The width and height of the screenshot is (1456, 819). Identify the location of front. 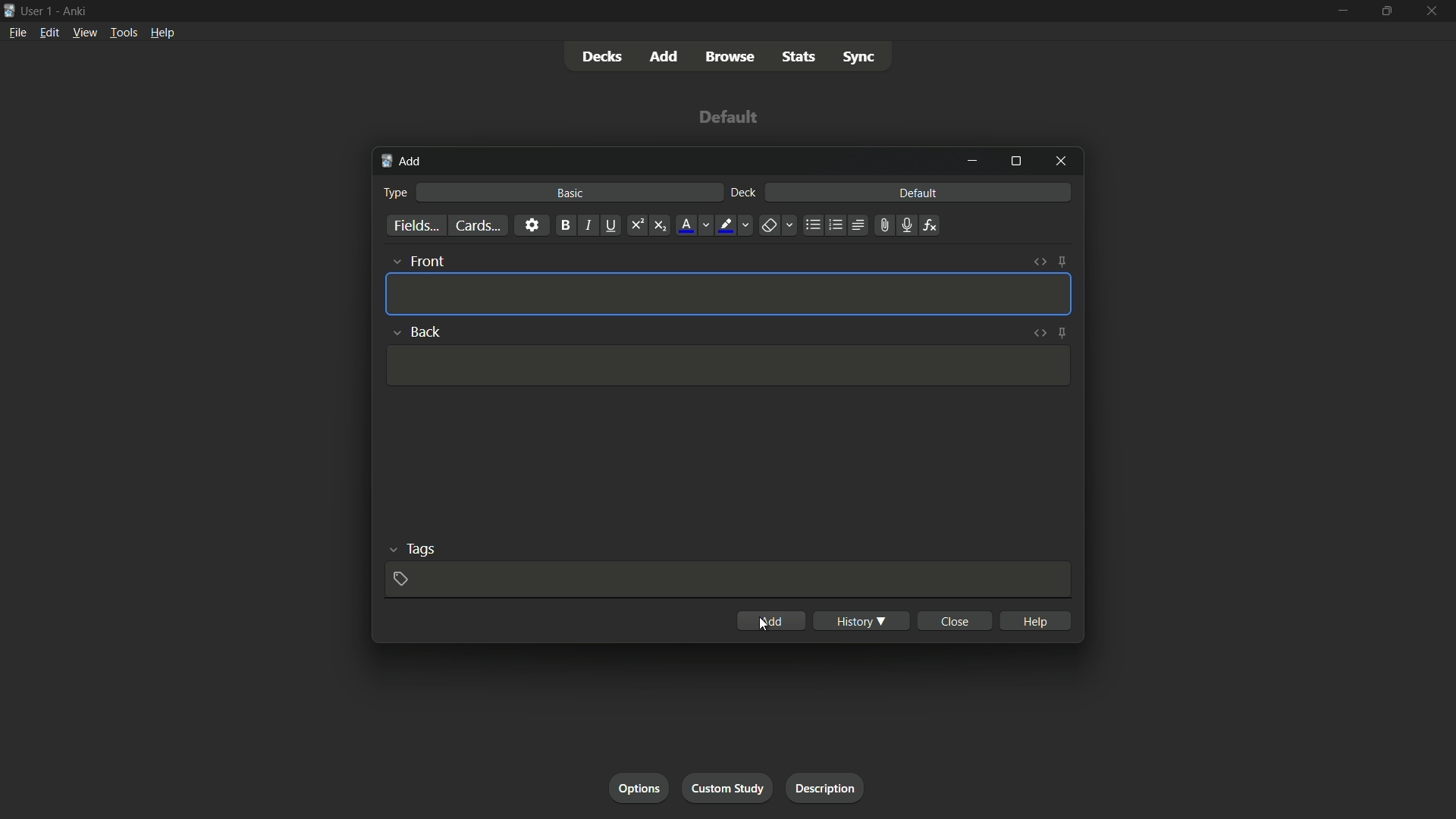
(417, 260).